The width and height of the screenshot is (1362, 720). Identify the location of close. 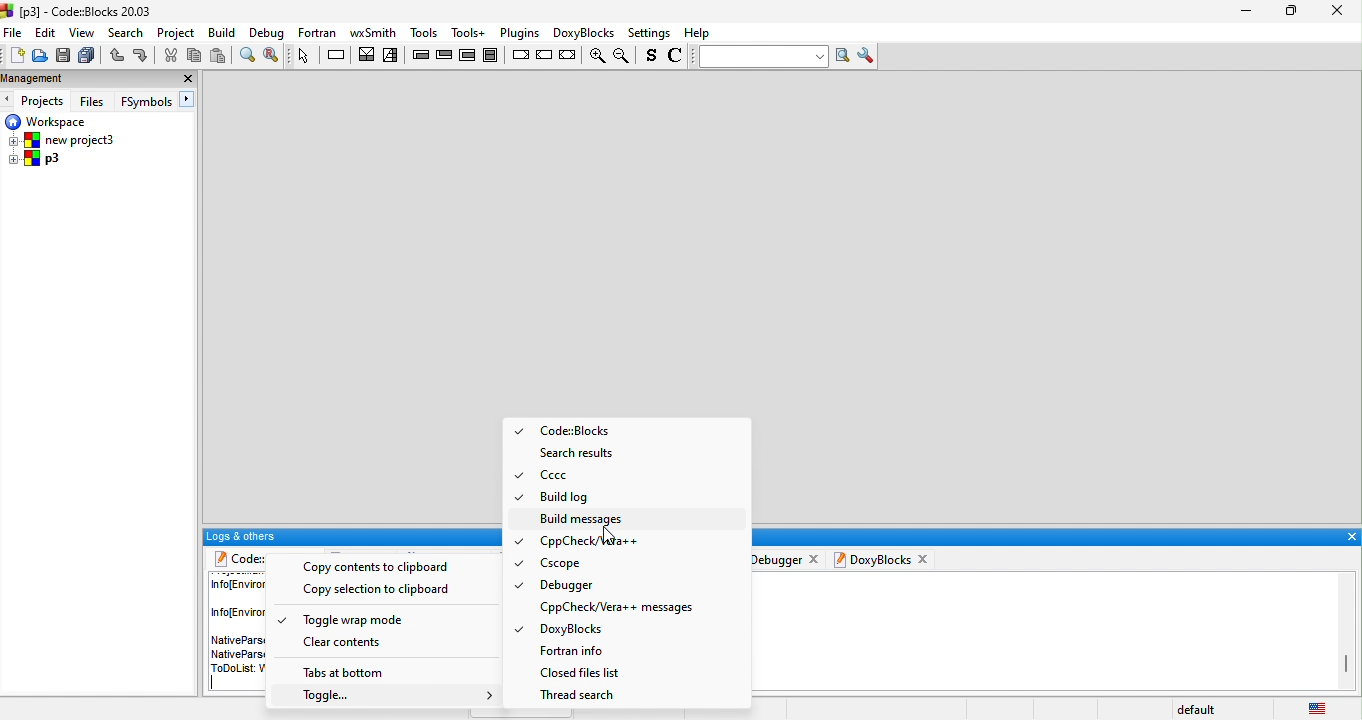
(815, 557).